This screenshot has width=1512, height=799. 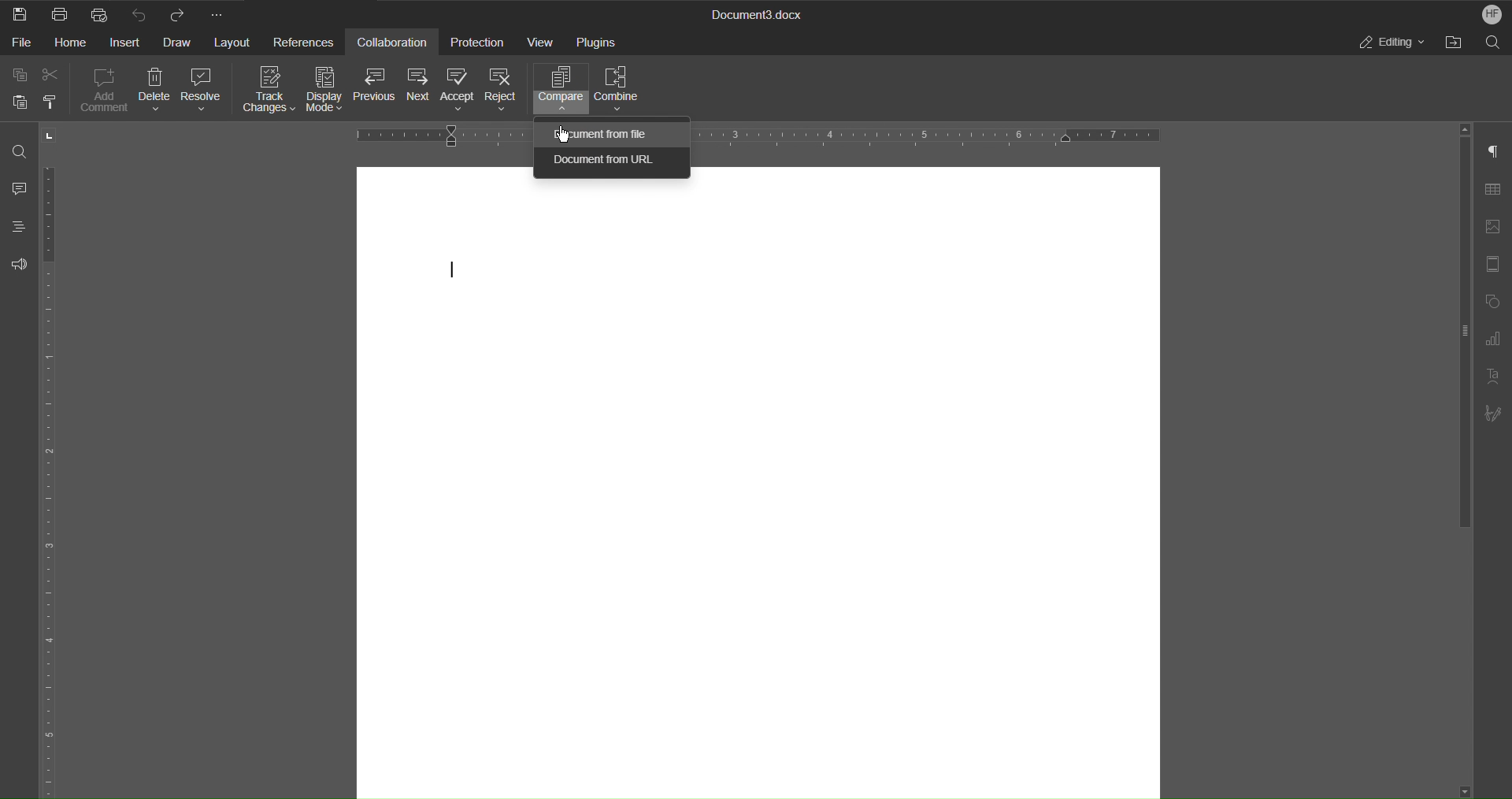 I want to click on Combine, so click(x=618, y=87).